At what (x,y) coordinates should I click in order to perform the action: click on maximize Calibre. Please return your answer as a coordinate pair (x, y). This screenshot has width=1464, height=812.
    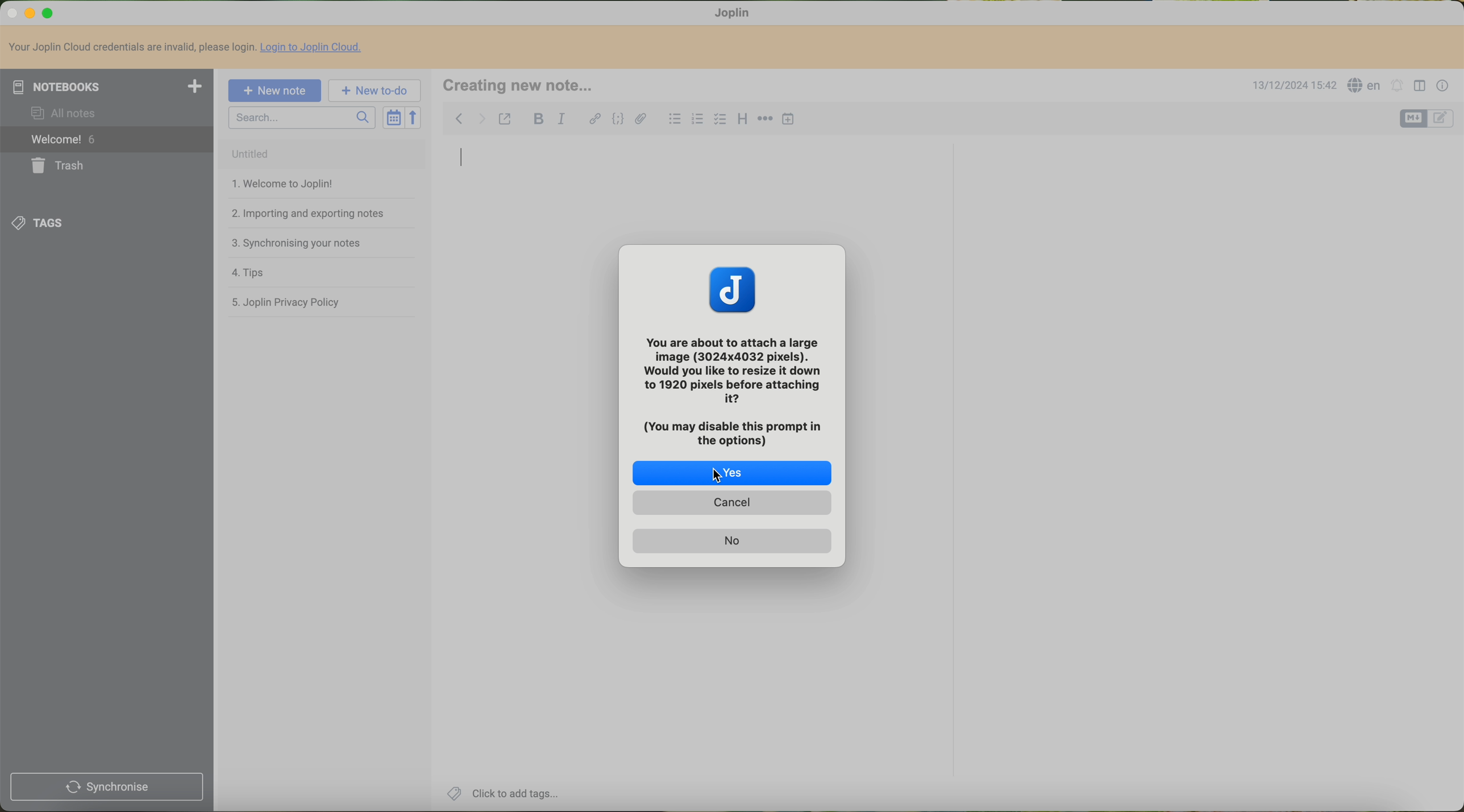
    Looking at the image, I should click on (49, 14).